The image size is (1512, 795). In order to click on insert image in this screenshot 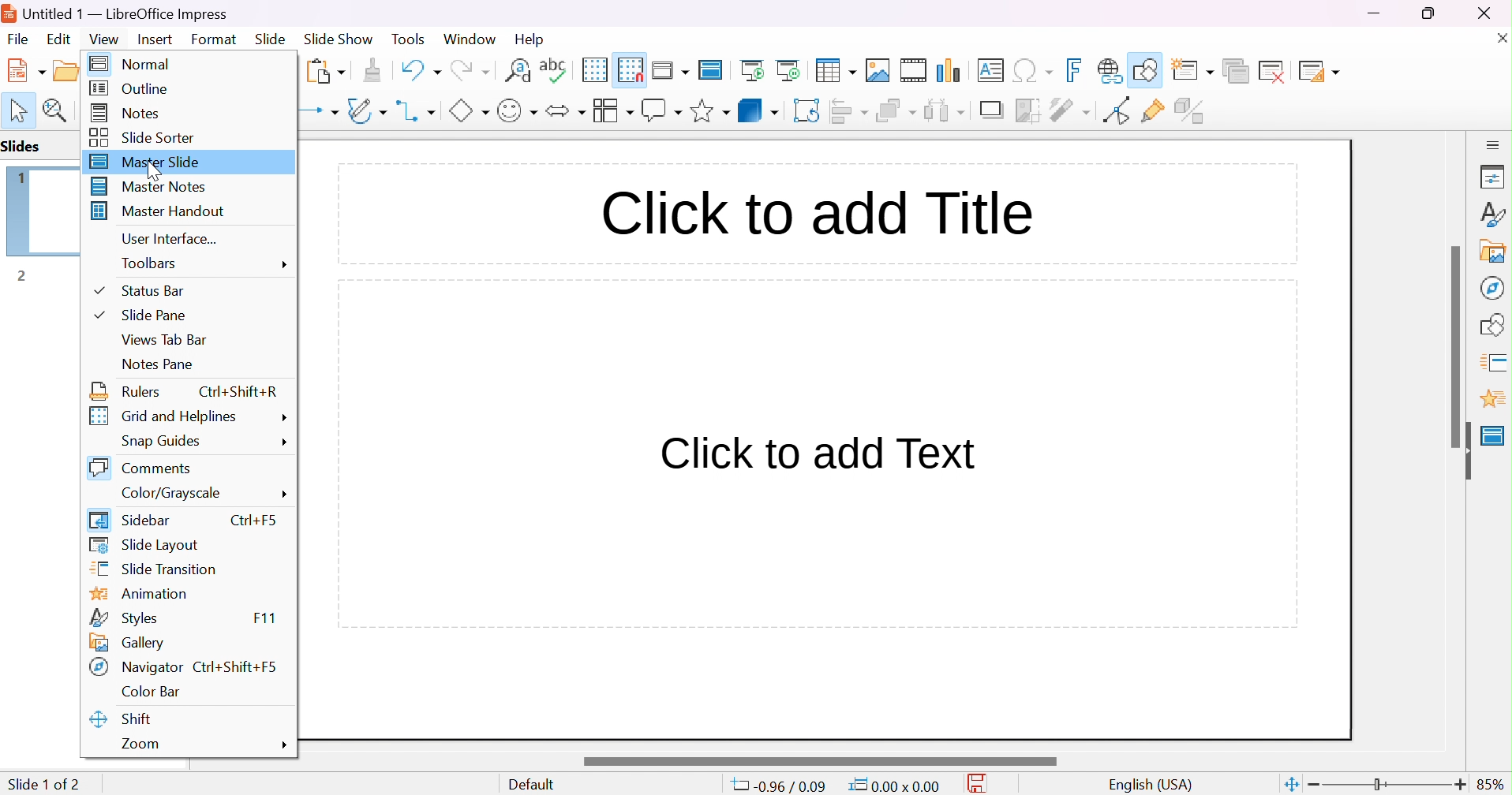, I will do `click(878, 70)`.